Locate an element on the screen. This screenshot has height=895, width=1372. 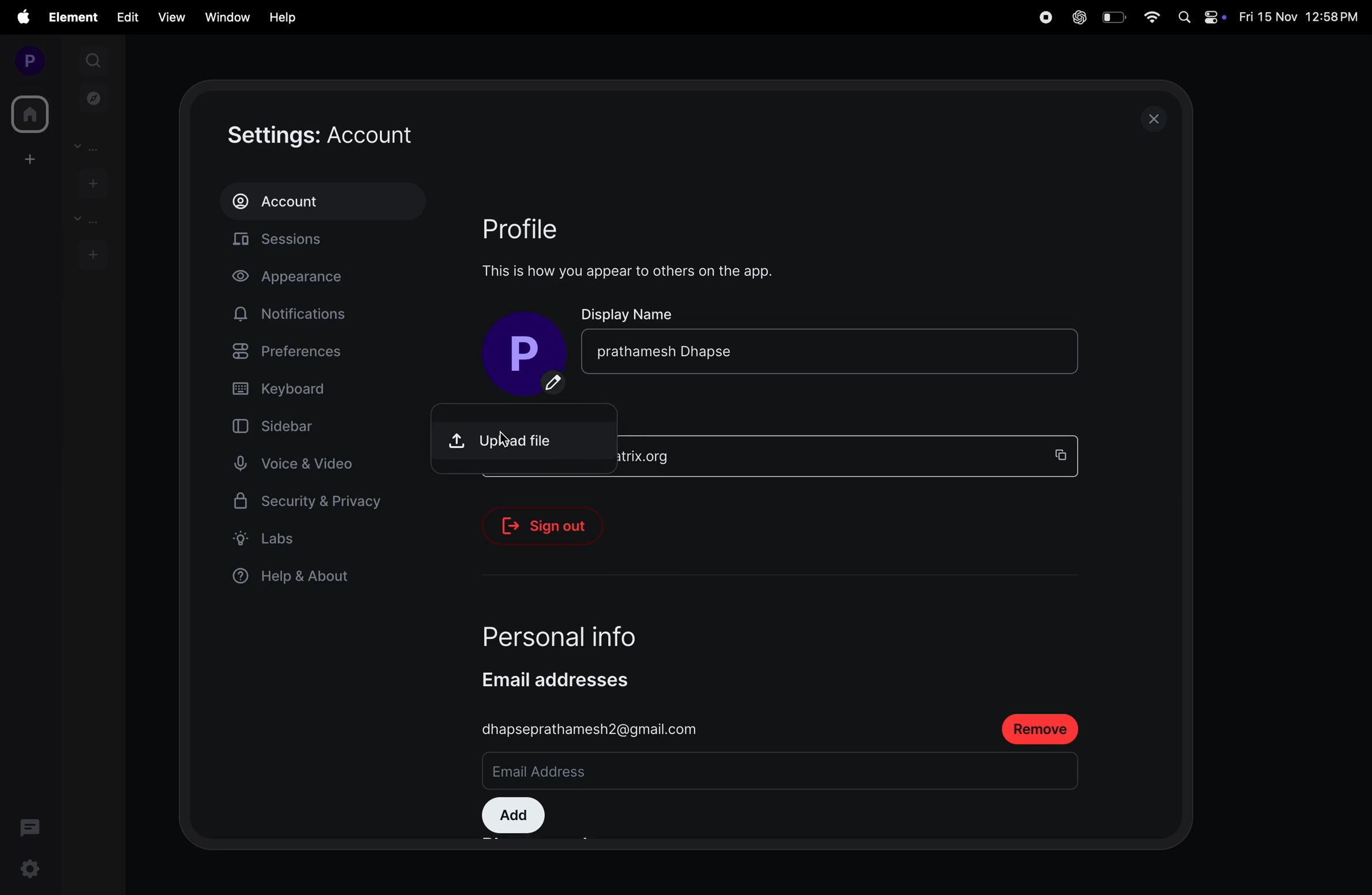
this is how you appear on other app is located at coordinates (639, 271).